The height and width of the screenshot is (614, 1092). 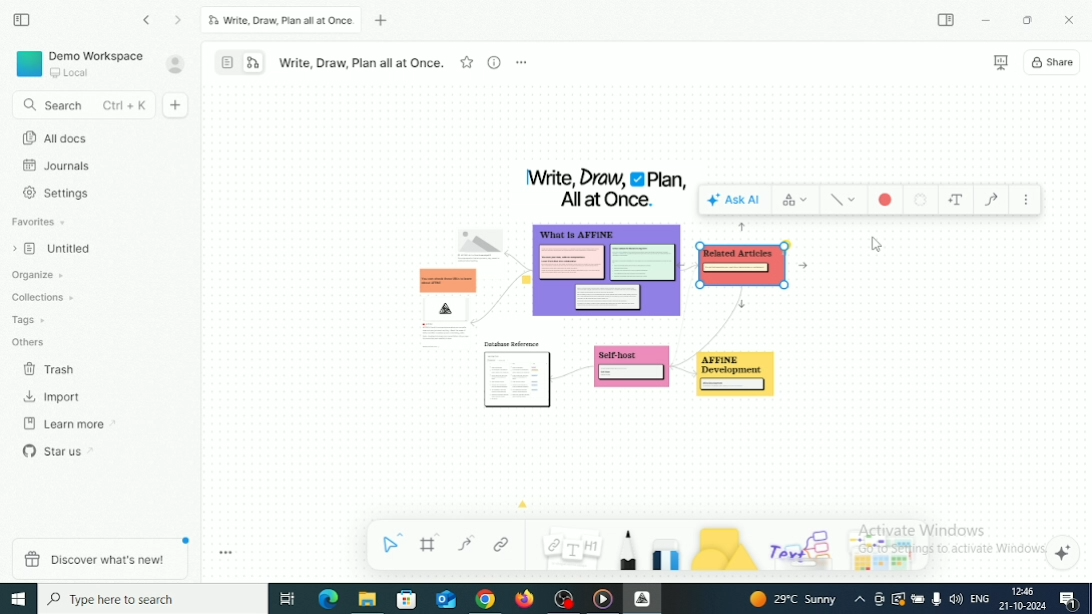 What do you see at coordinates (51, 370) in the screenshot?
I see `Trash` at bounding box center [51, 370].